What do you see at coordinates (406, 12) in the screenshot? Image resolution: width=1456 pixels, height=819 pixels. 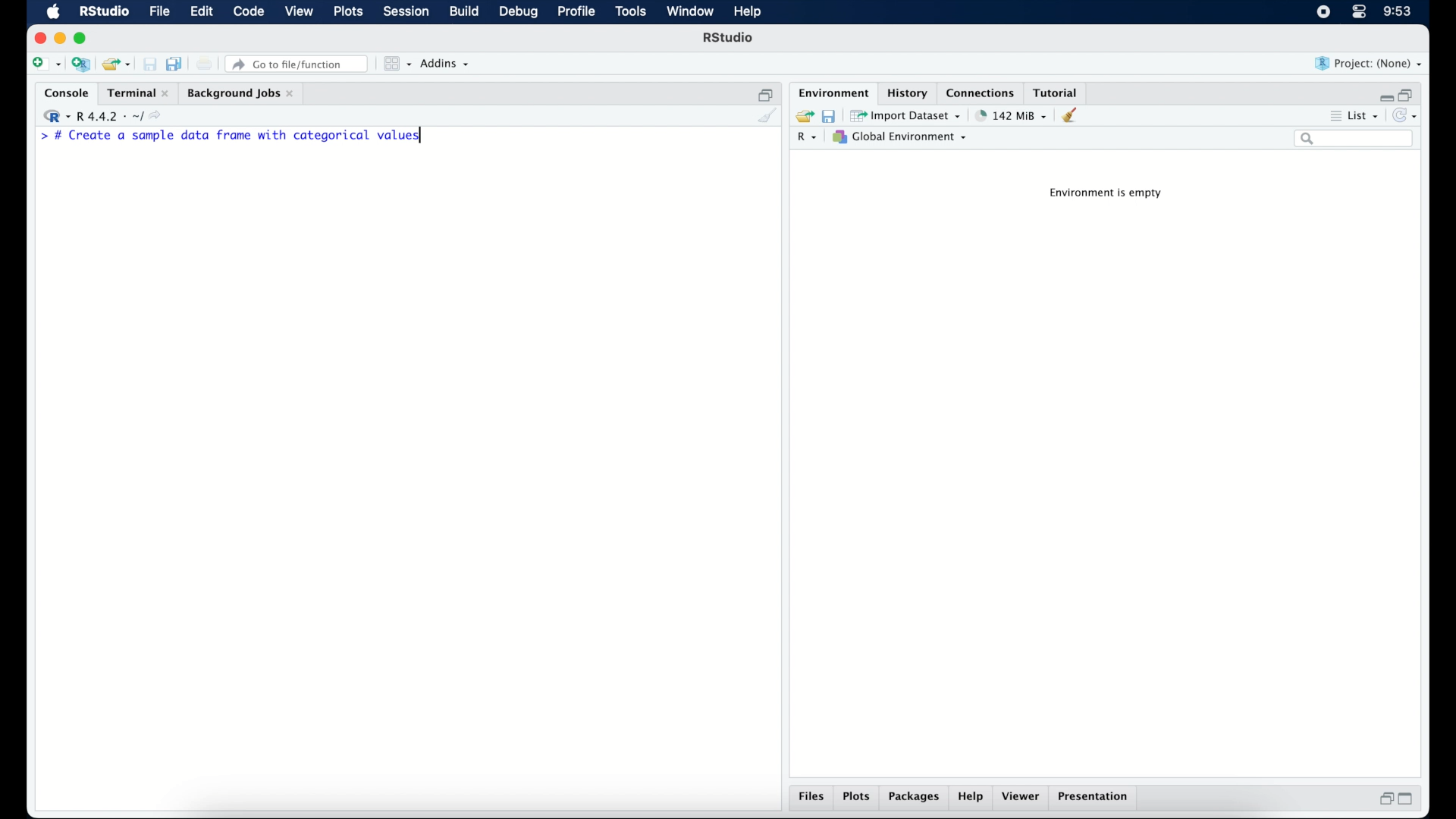 I see `session` at bounding box center [406, 12].